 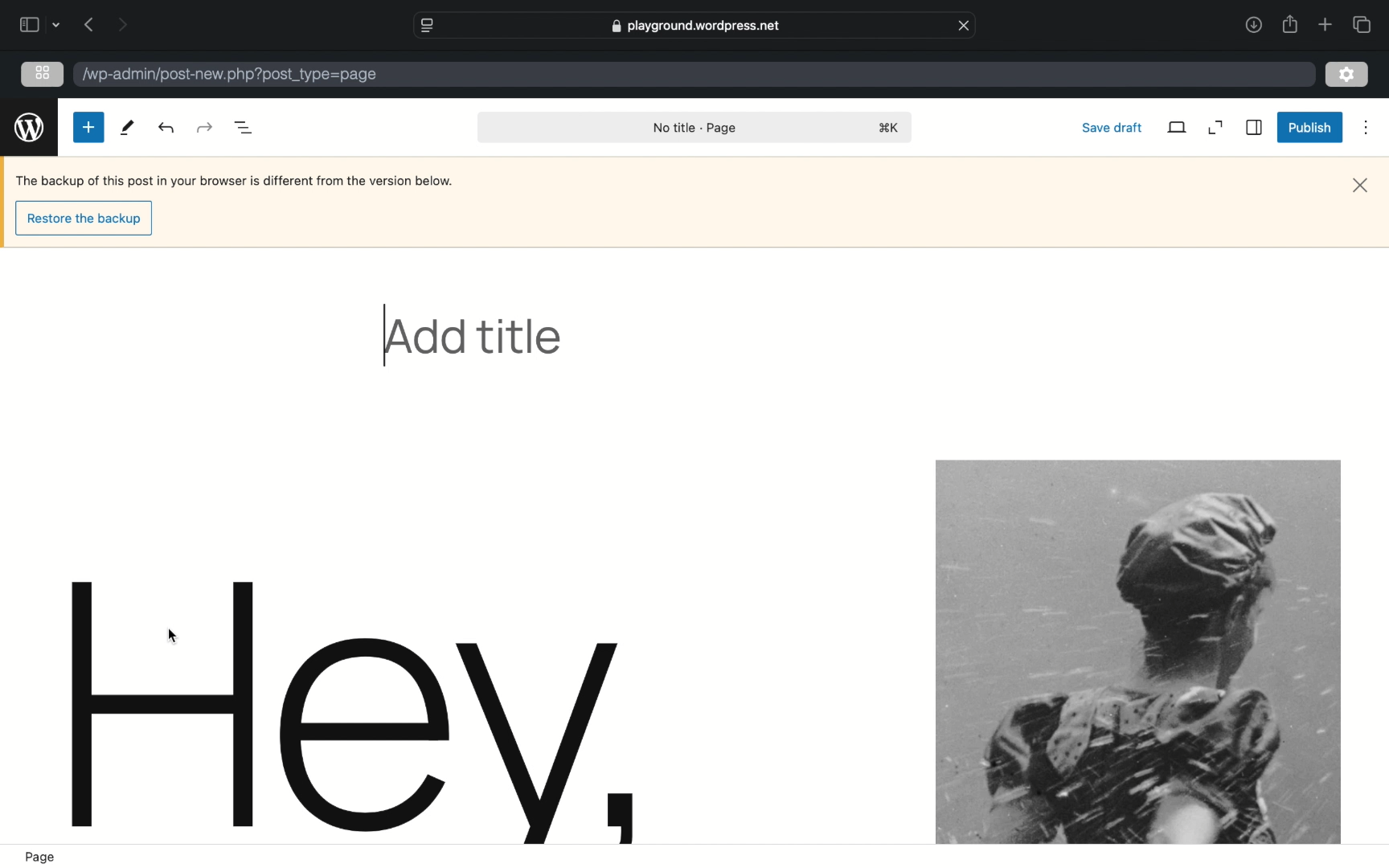 I want to click on tools, so click(x=127, y=129).